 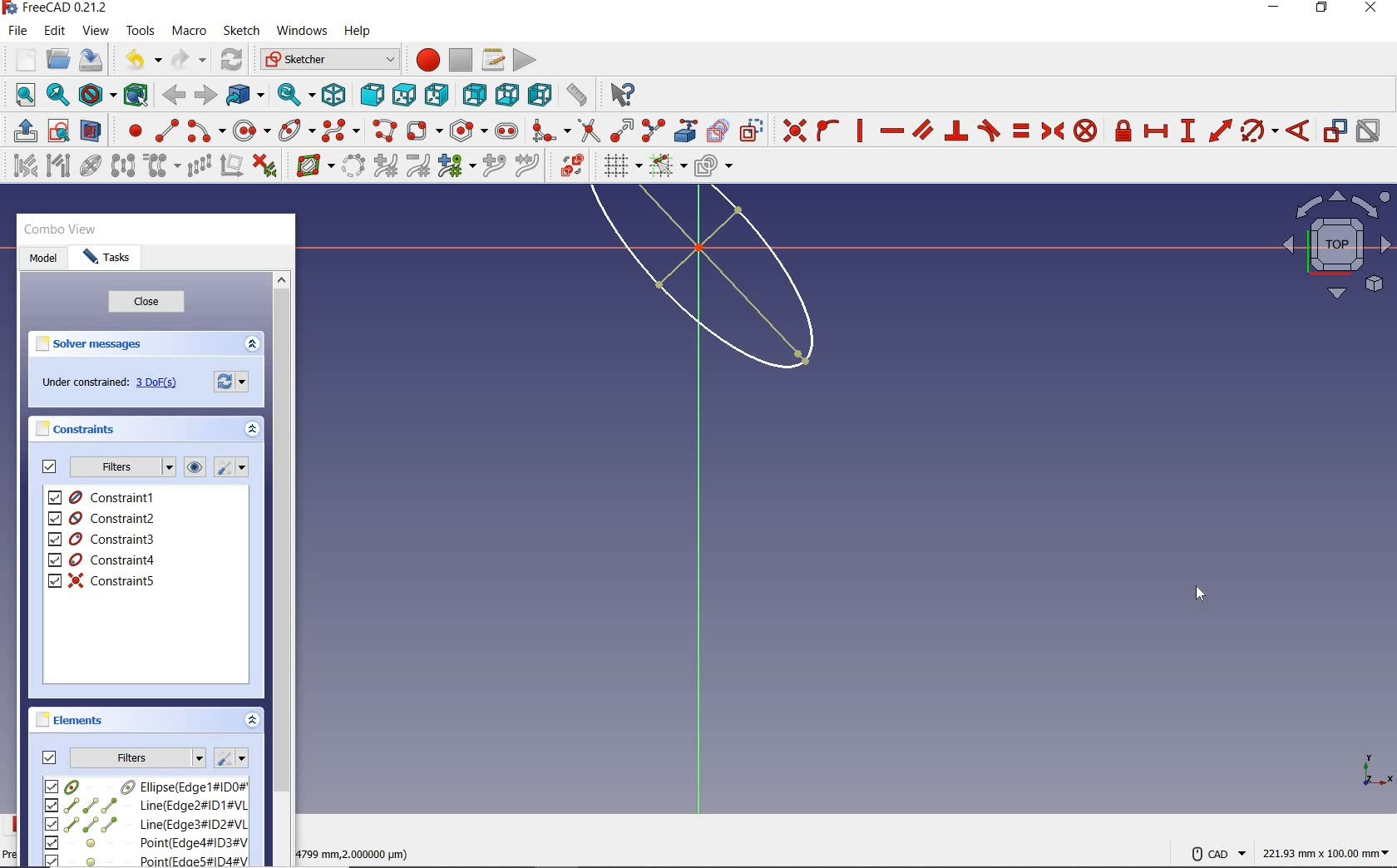 I want to click on collapse, so click(x=254, y=432).